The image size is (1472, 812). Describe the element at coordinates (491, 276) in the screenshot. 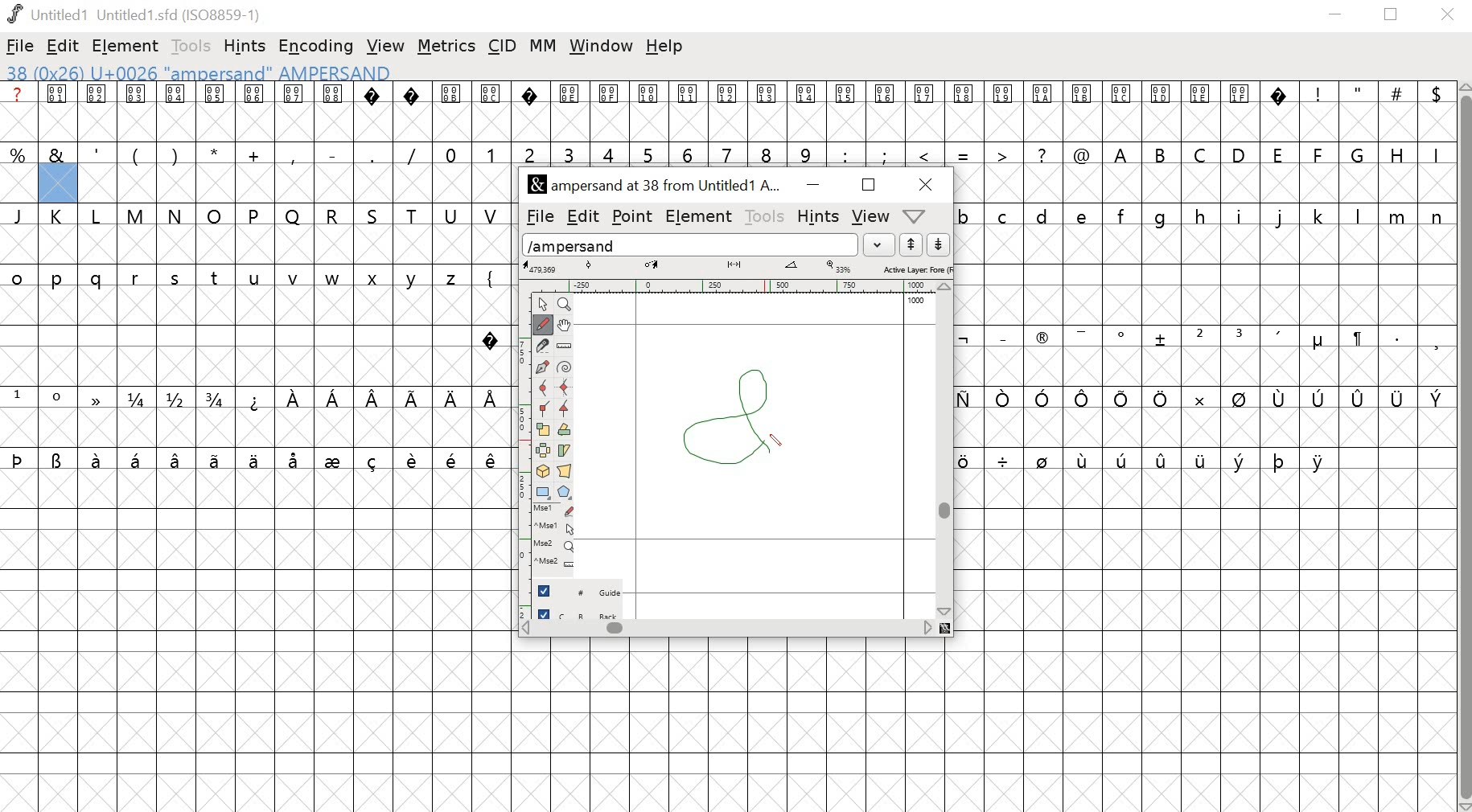

I see `{` at that location.